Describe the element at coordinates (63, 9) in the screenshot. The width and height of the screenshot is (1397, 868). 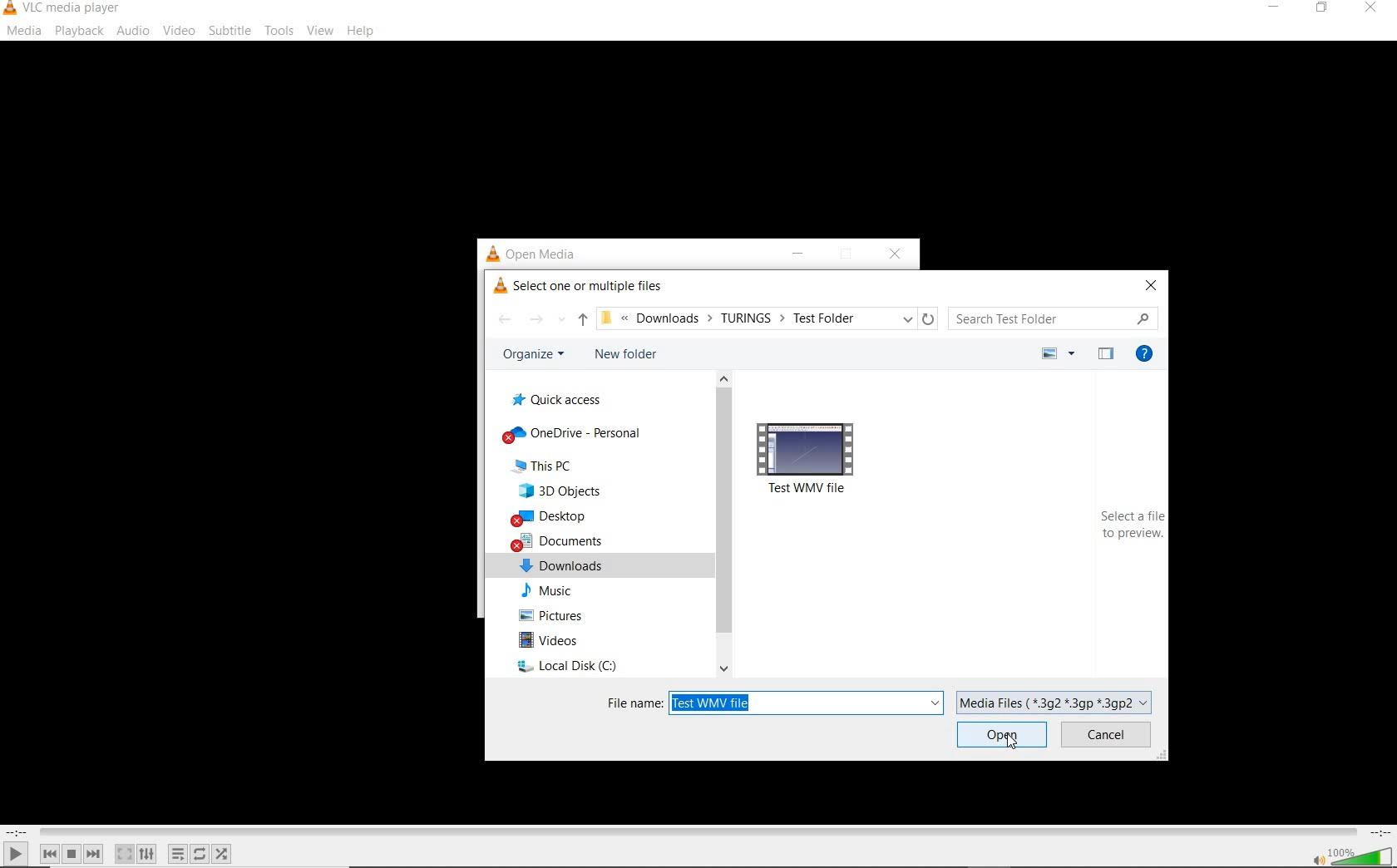
I see `system name` at that location.